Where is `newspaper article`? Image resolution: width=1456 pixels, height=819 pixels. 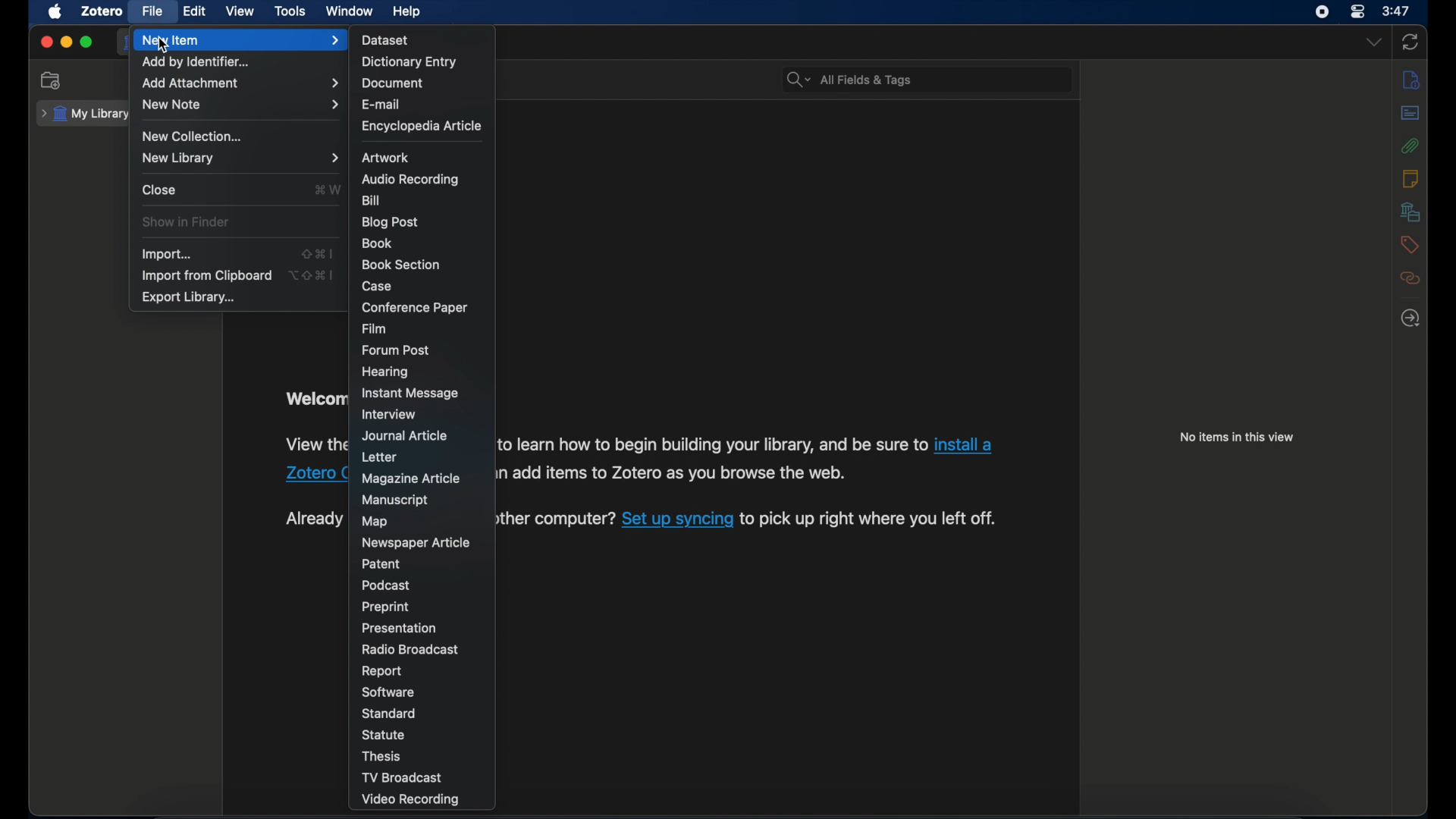
newspaper article is located at coordinates (416, 542).